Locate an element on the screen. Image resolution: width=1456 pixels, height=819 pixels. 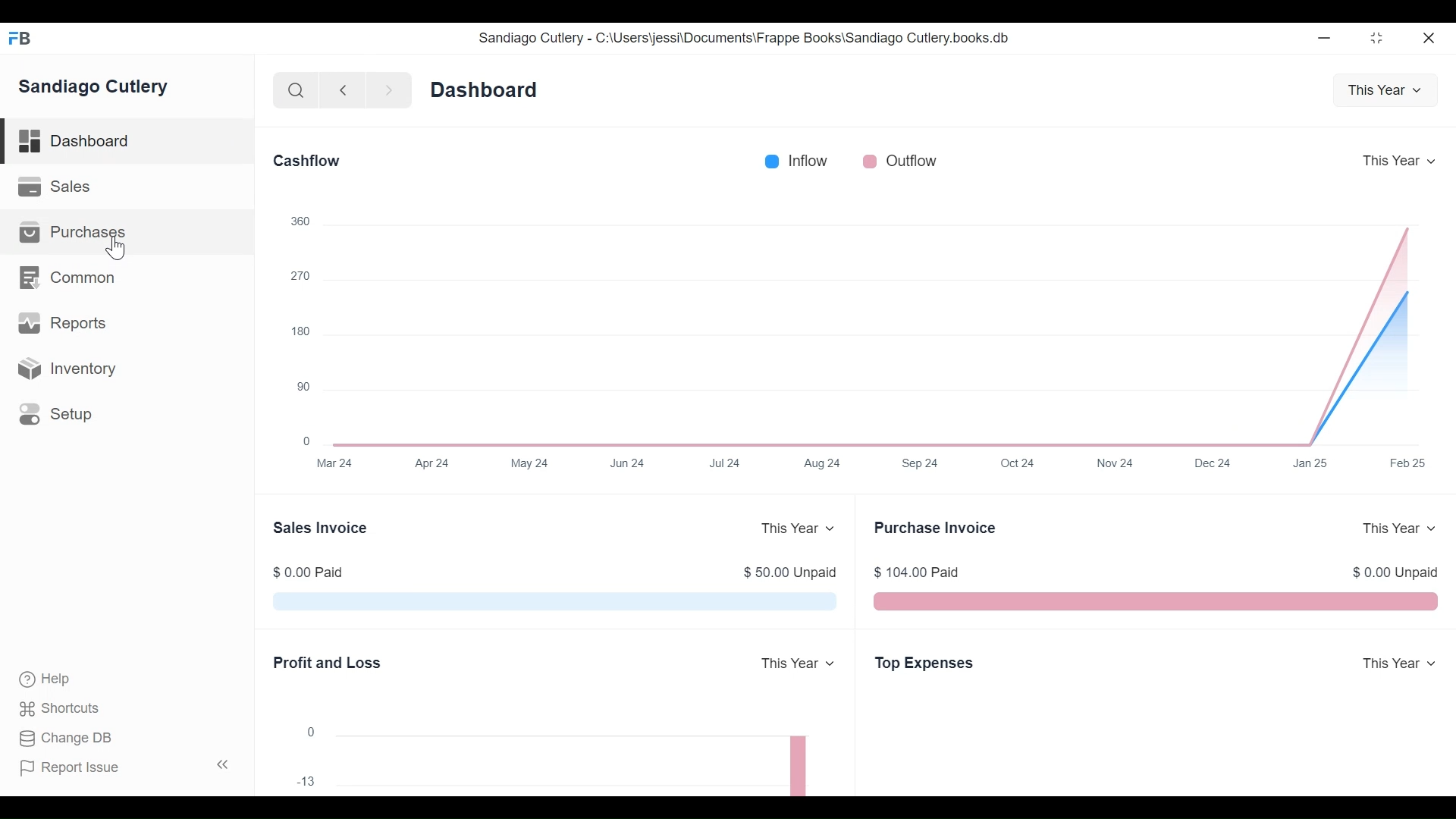
Sandiago Cutlery - C:\Users\jessi\Documents\Frappe Books\Sandiago Cutlery.books.db is located at coordinates (745, 38).